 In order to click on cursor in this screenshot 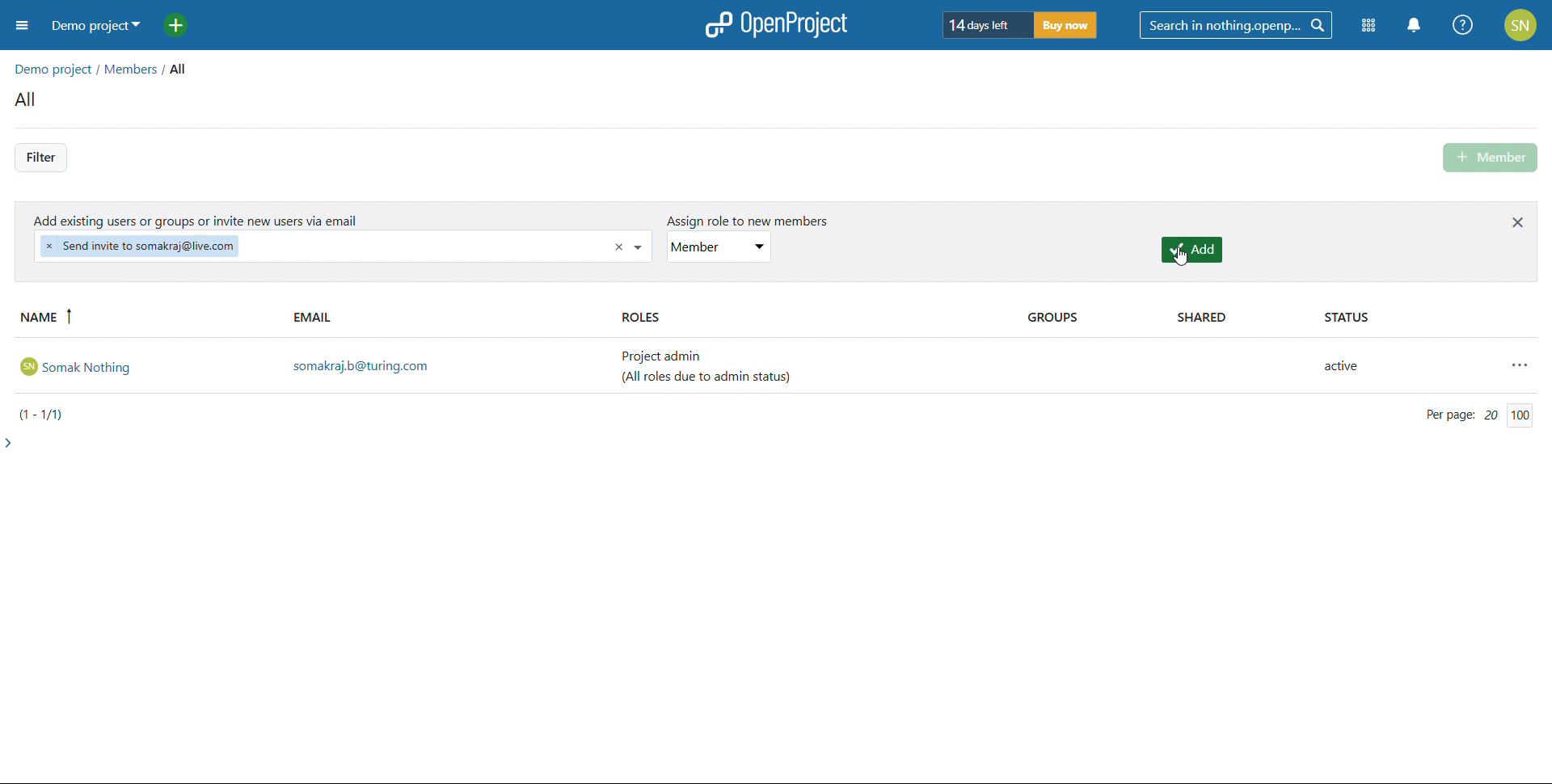, I will do `click(1187, 259)`.